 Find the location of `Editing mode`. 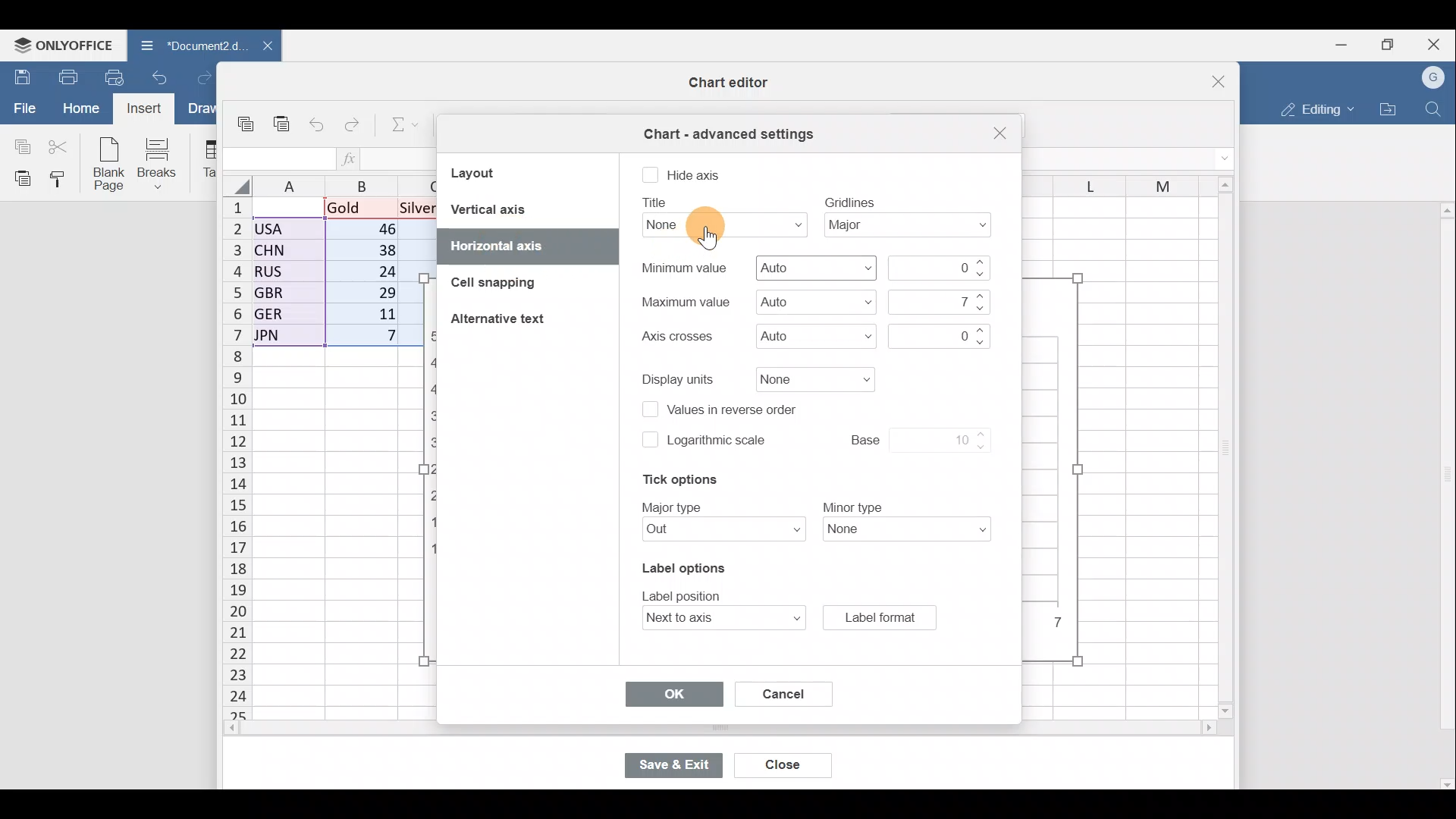

Editing mode is located at coordinates (1313, 109).